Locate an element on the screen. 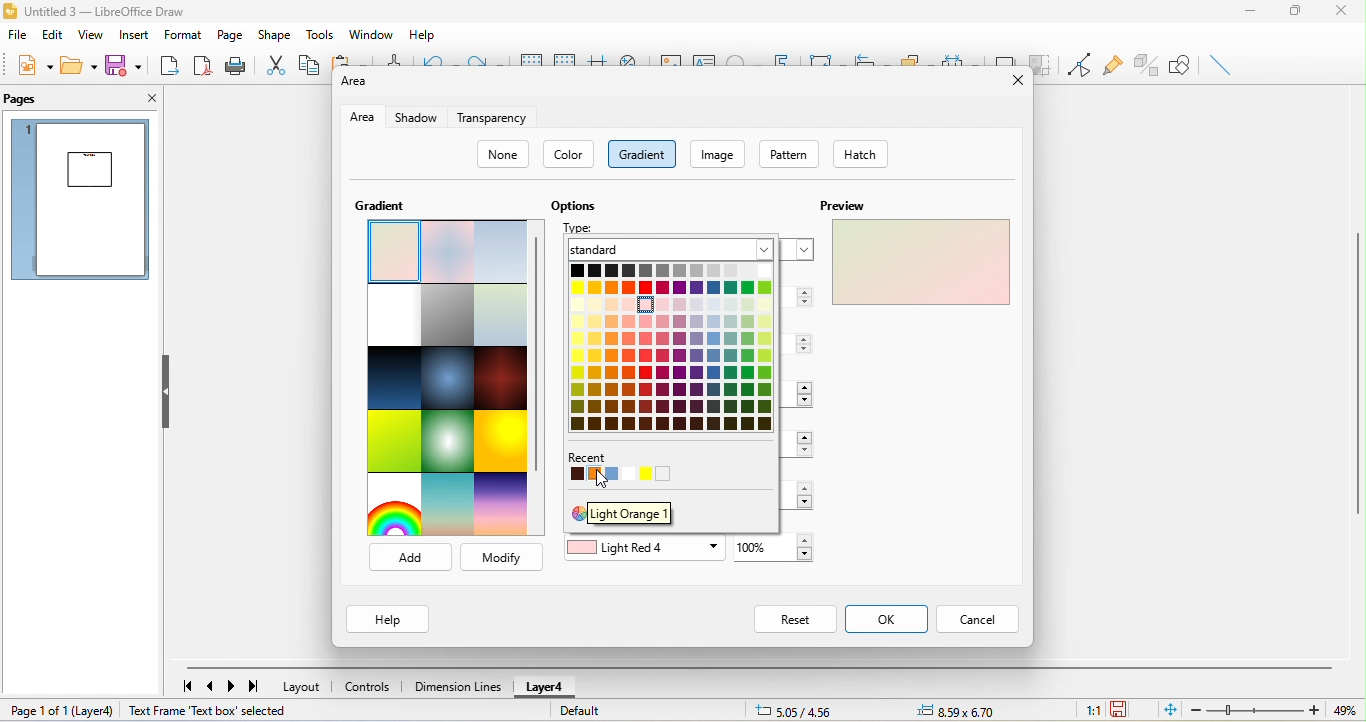 The width and height of the screenshot is (1366, 722). blue touch is located at coordinates (499, 253).